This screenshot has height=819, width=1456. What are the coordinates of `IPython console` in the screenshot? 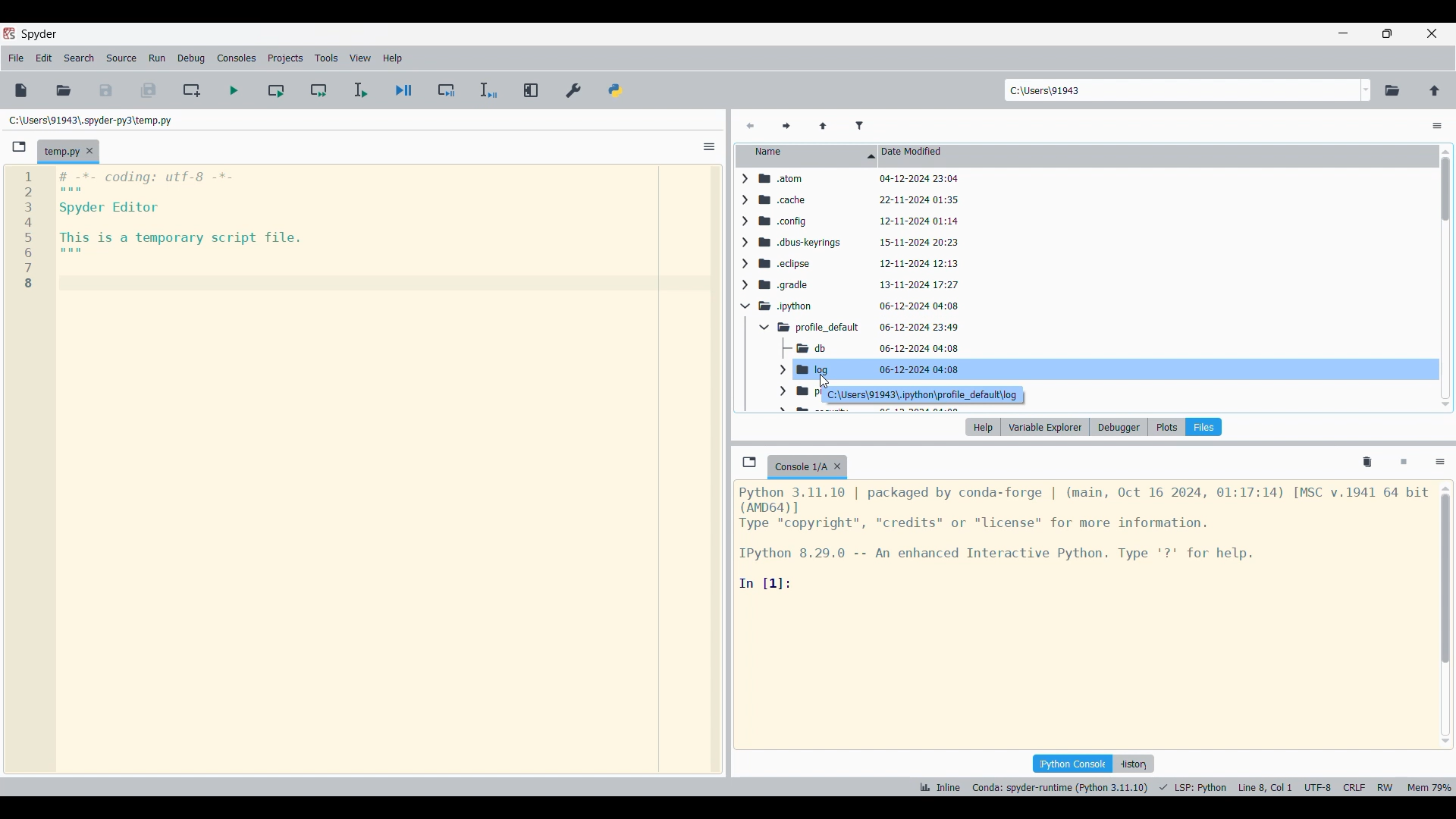 It's located at (1072, 764).